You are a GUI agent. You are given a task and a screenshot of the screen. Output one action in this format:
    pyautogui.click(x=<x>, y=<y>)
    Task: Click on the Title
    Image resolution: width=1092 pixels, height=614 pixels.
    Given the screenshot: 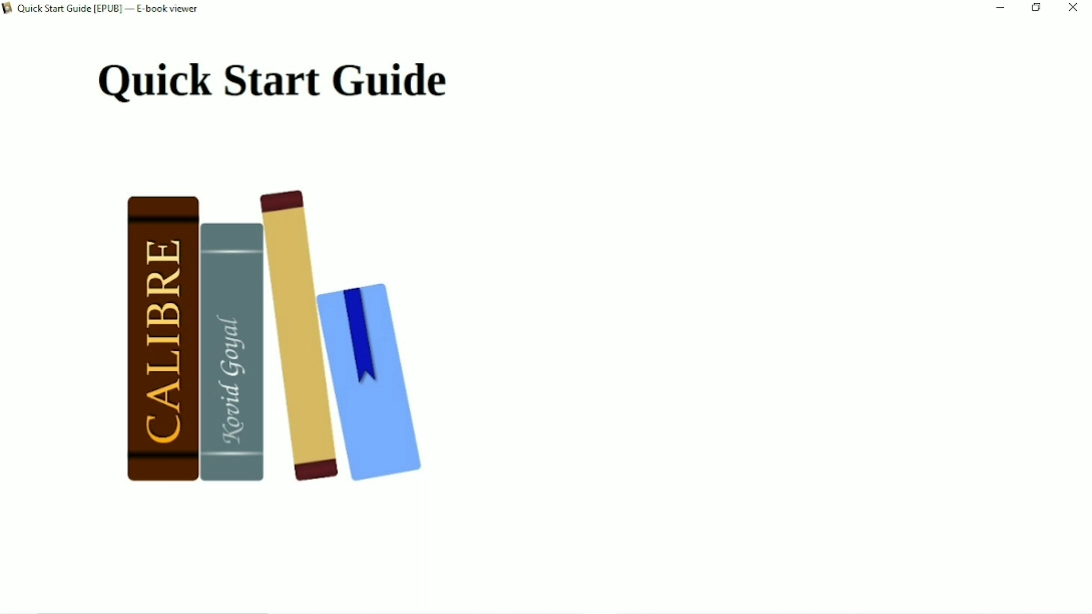 What is the action you would take?
    pyautogui.click(x=272, y=82)
    